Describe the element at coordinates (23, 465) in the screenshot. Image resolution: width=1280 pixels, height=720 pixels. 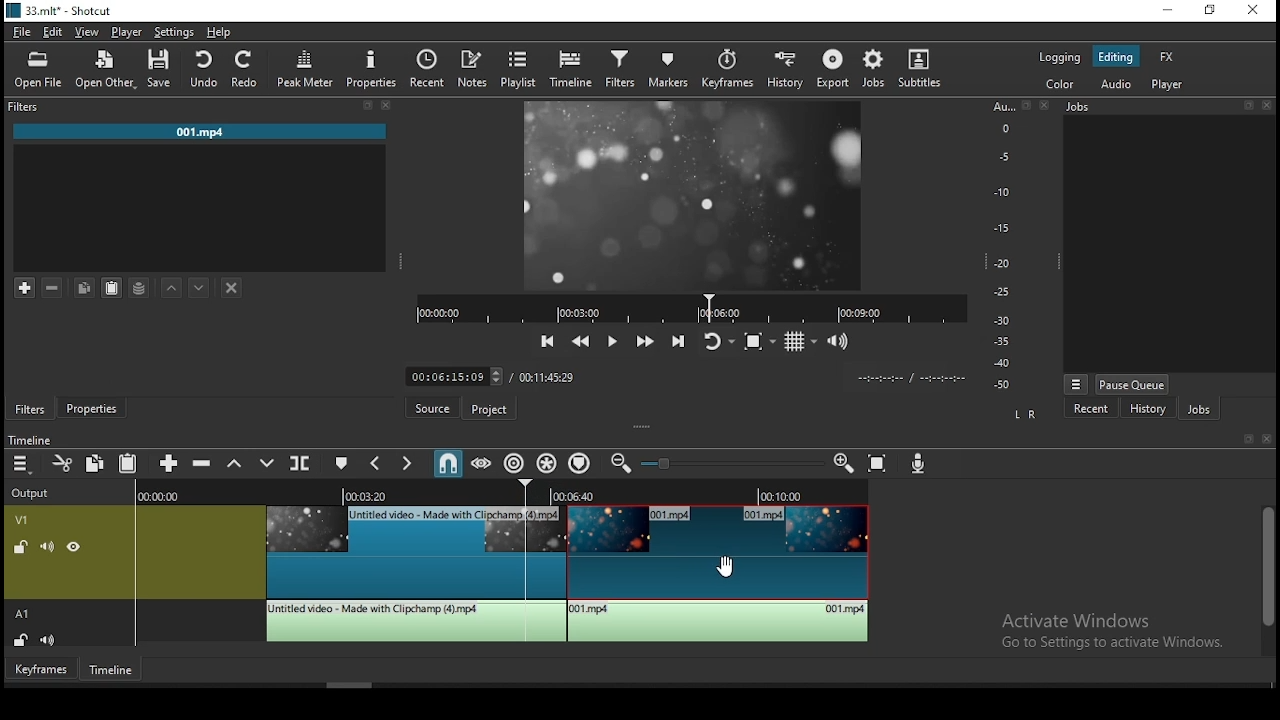
I see `menu` at that location.